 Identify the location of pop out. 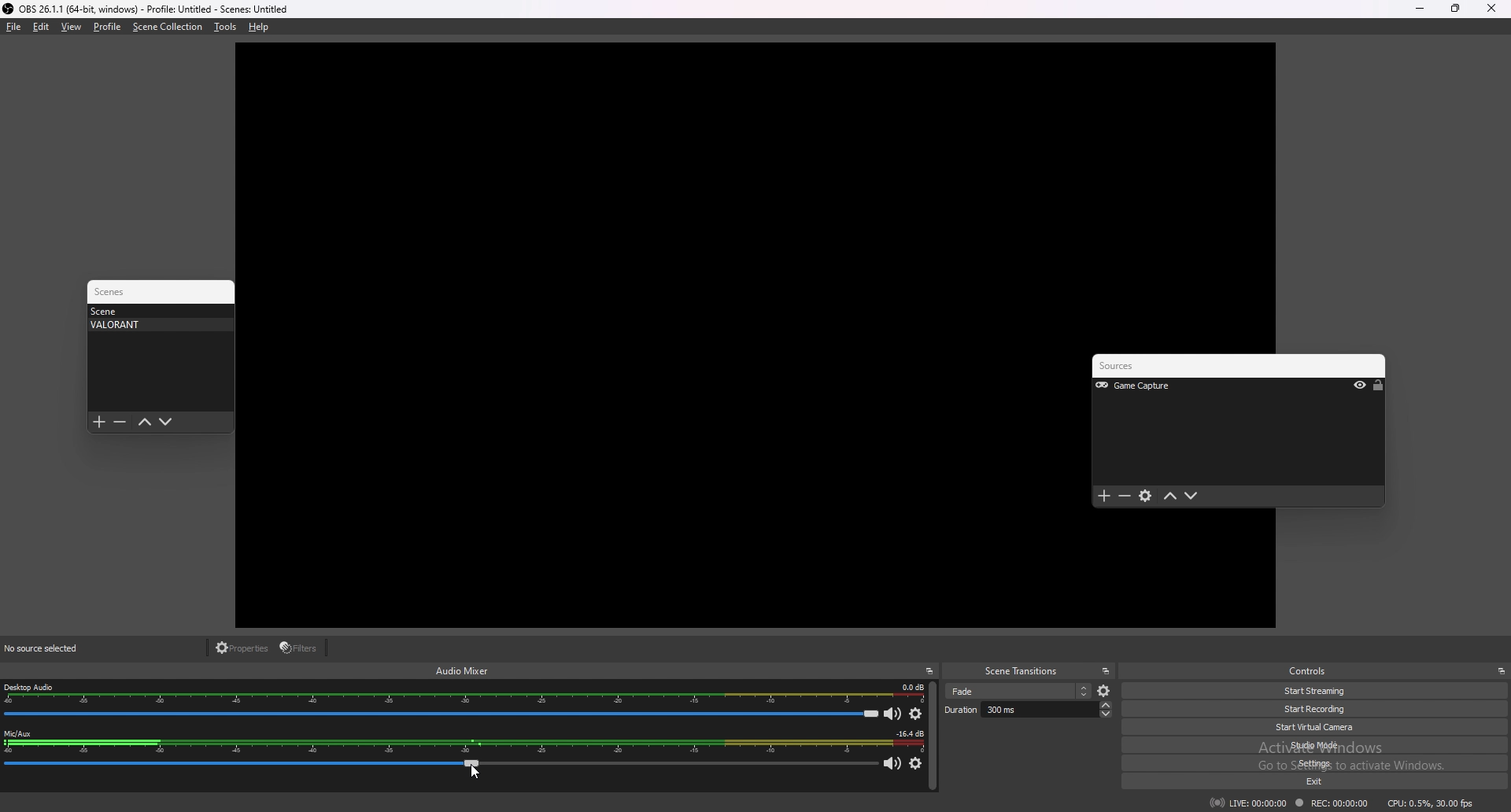
(929, 671).